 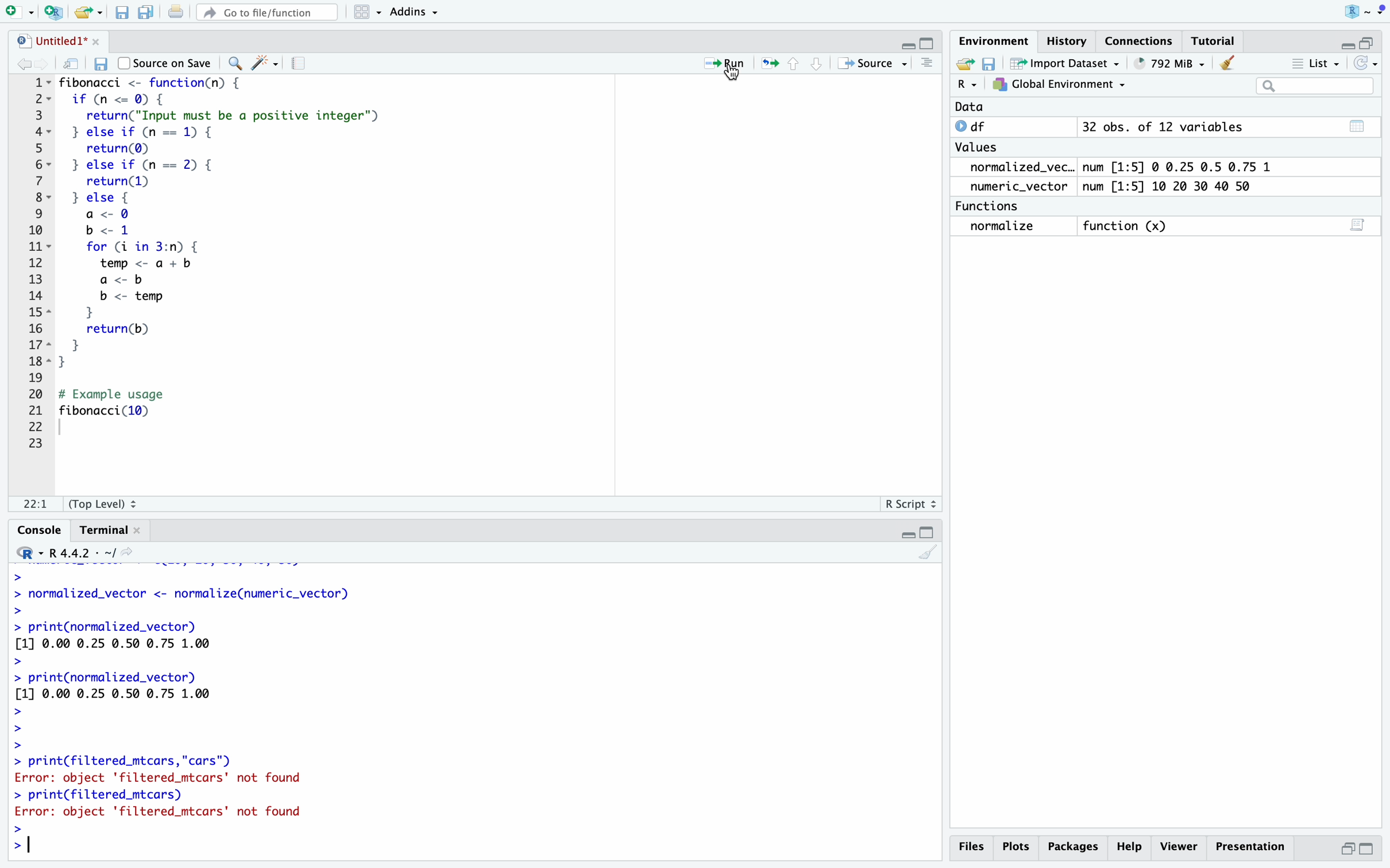 I want to click on normalized_vec.., so click(x=1018, y=166).